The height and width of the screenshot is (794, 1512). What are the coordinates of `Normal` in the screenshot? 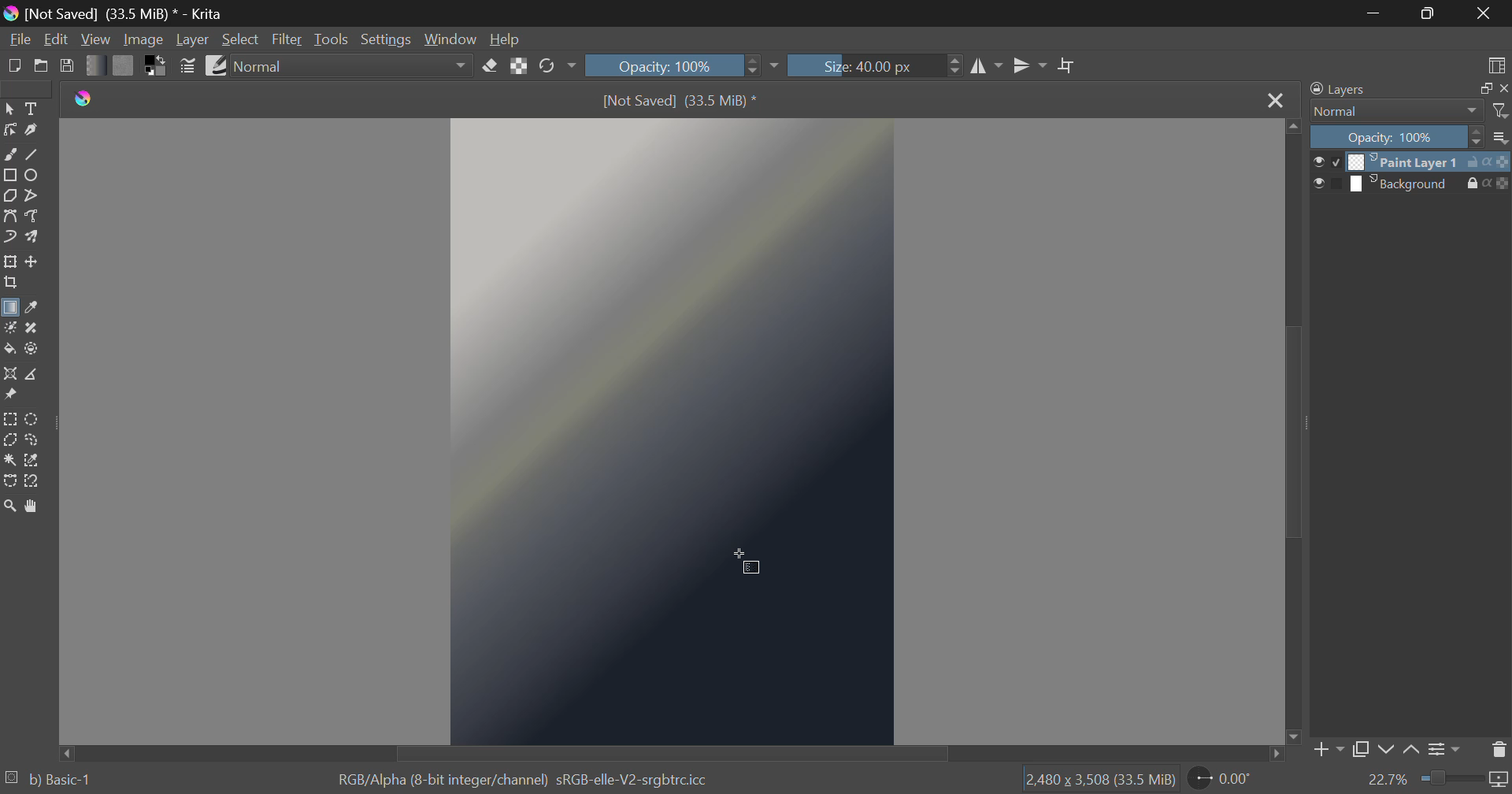 It's located at (354, 66).